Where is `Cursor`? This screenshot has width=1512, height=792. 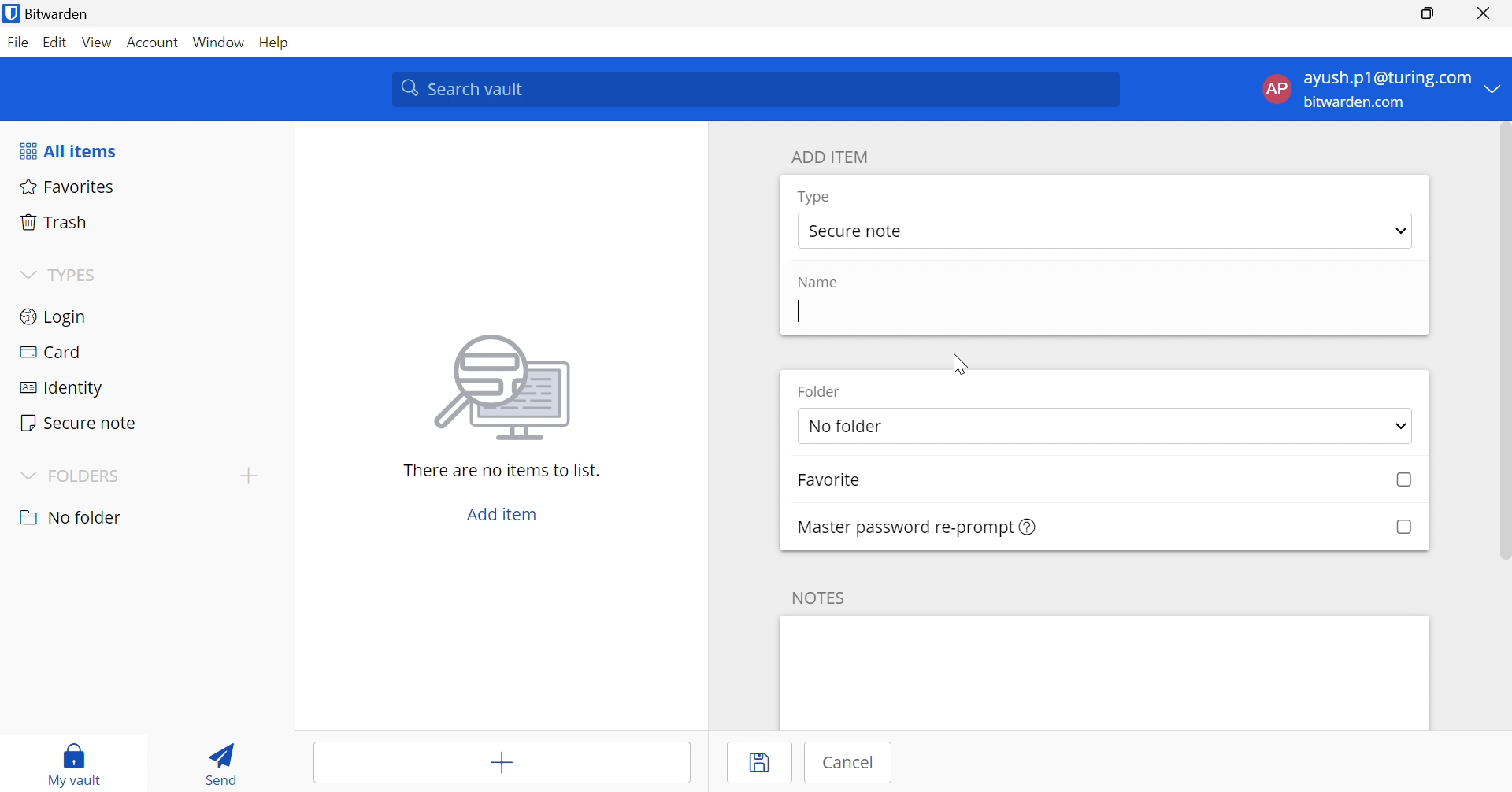 Cursor is located at coordinates (962, 367).